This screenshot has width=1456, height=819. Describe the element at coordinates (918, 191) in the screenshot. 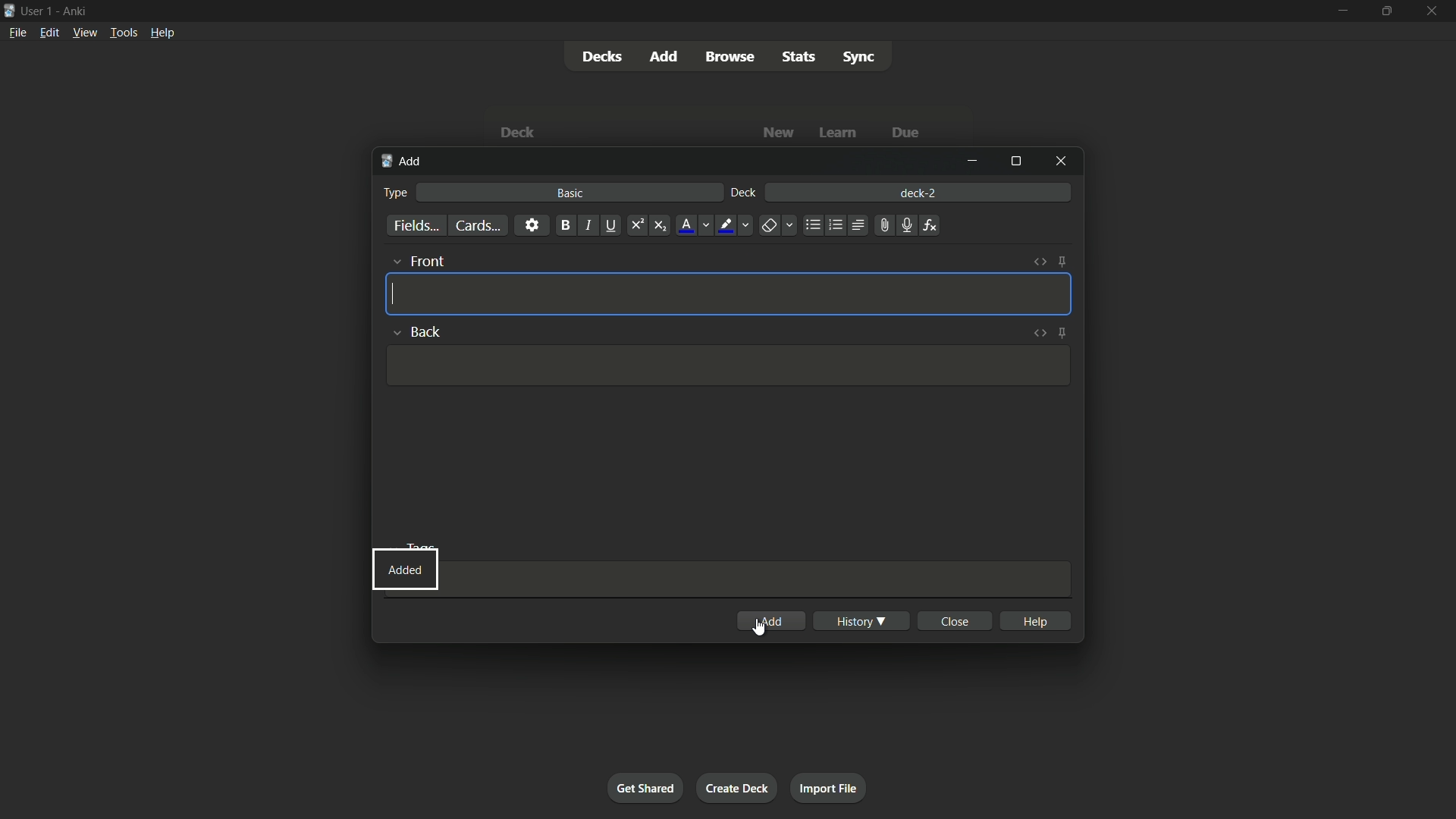

I see `deck-2` at that location.